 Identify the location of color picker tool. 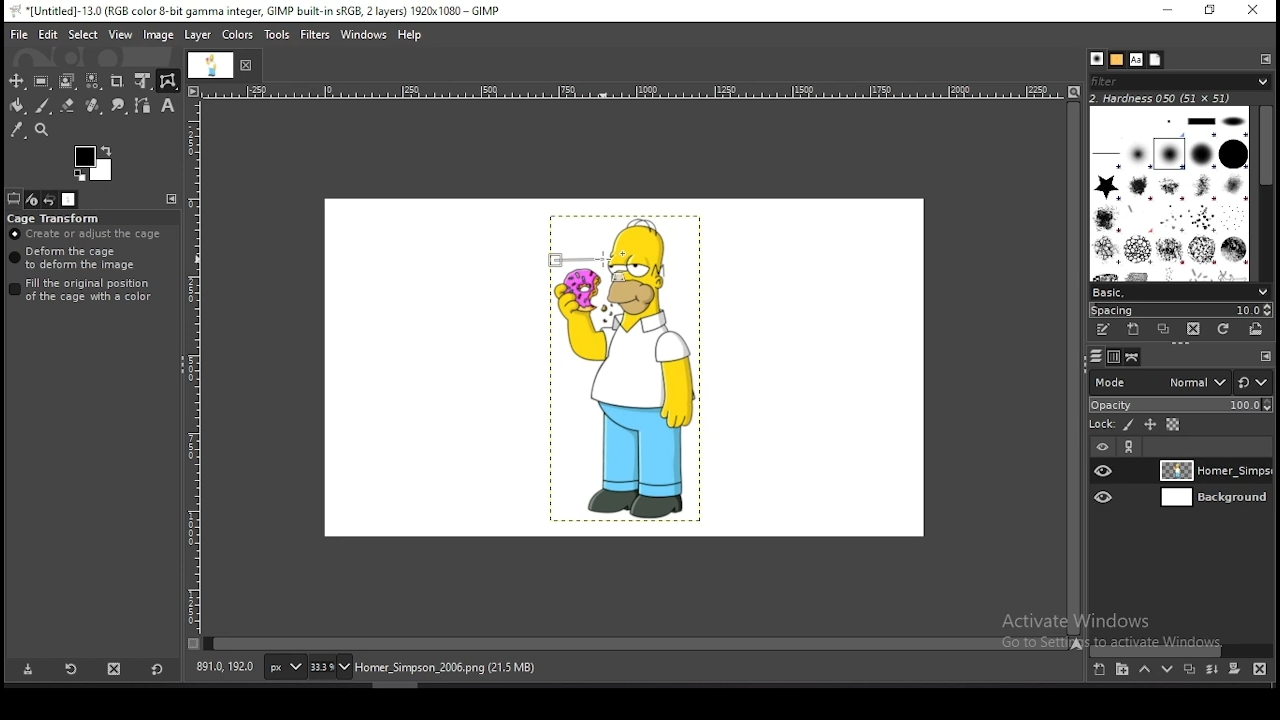
(17, 129).